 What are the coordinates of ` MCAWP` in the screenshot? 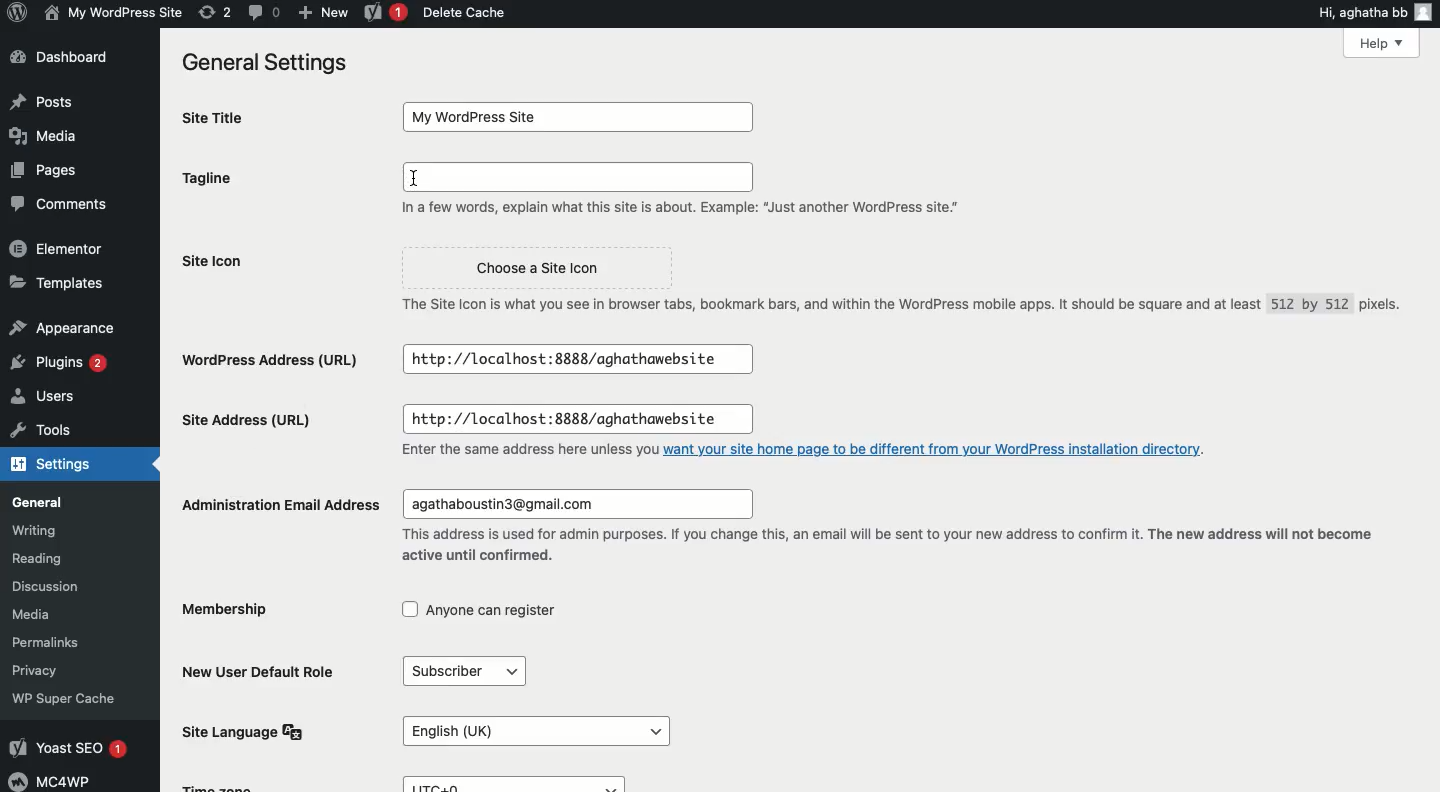 It's located at (56, 781).